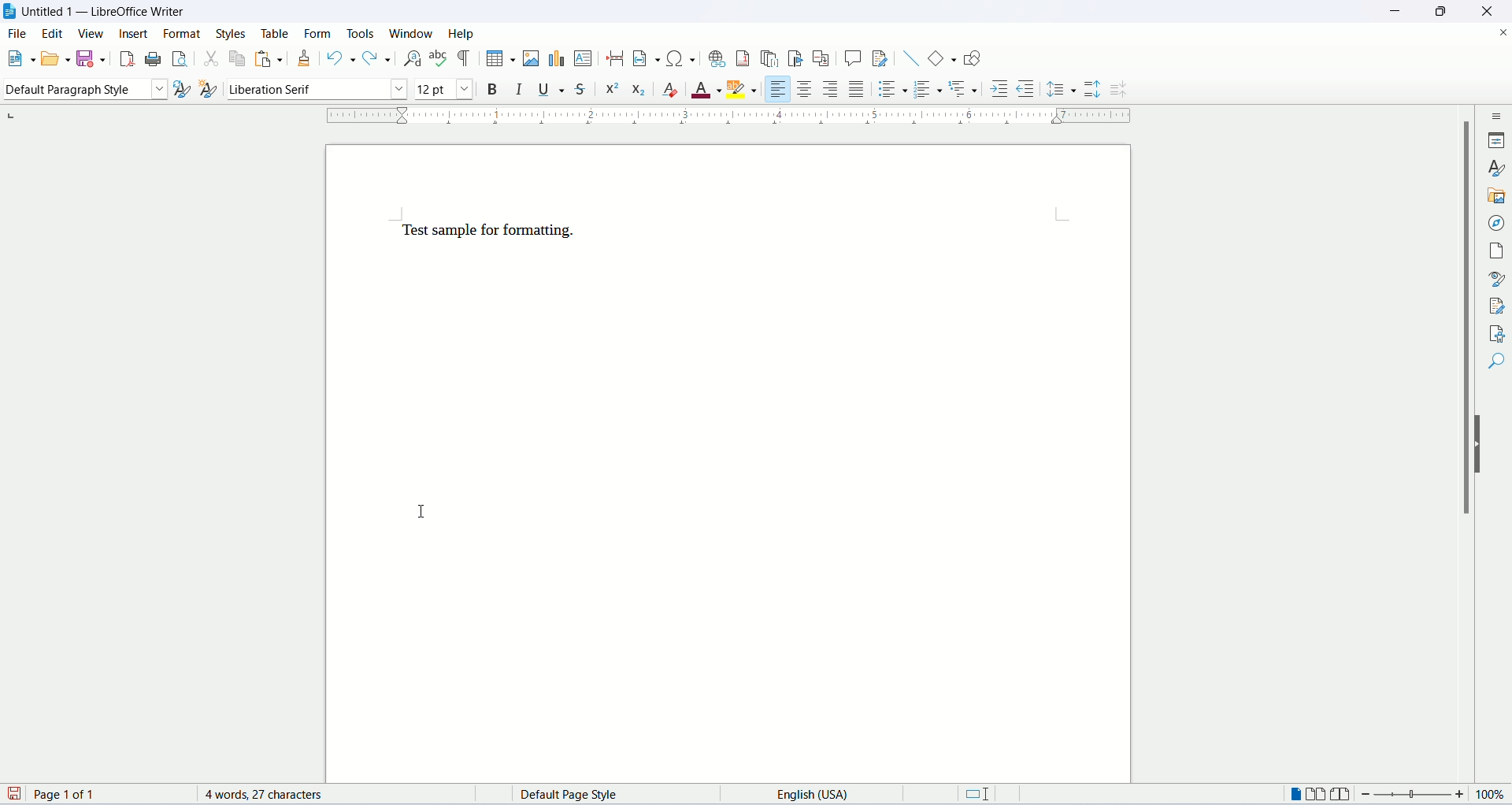 This screenshot has width=1512, height=805. I want to click on draw function, so click(972, 58).